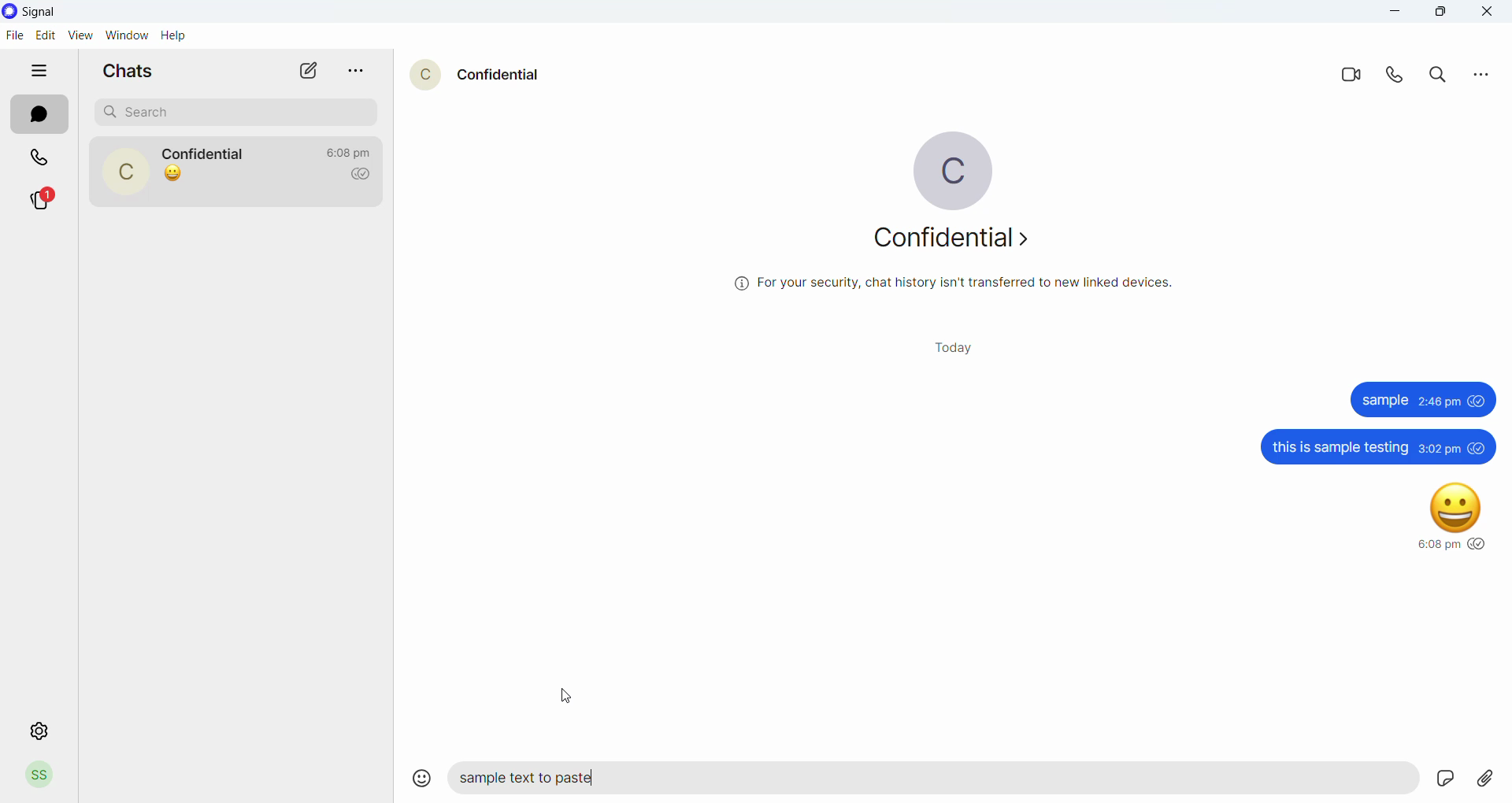 The image size is (1512, 803). I want to click on search in chat, so click(1442, 77).